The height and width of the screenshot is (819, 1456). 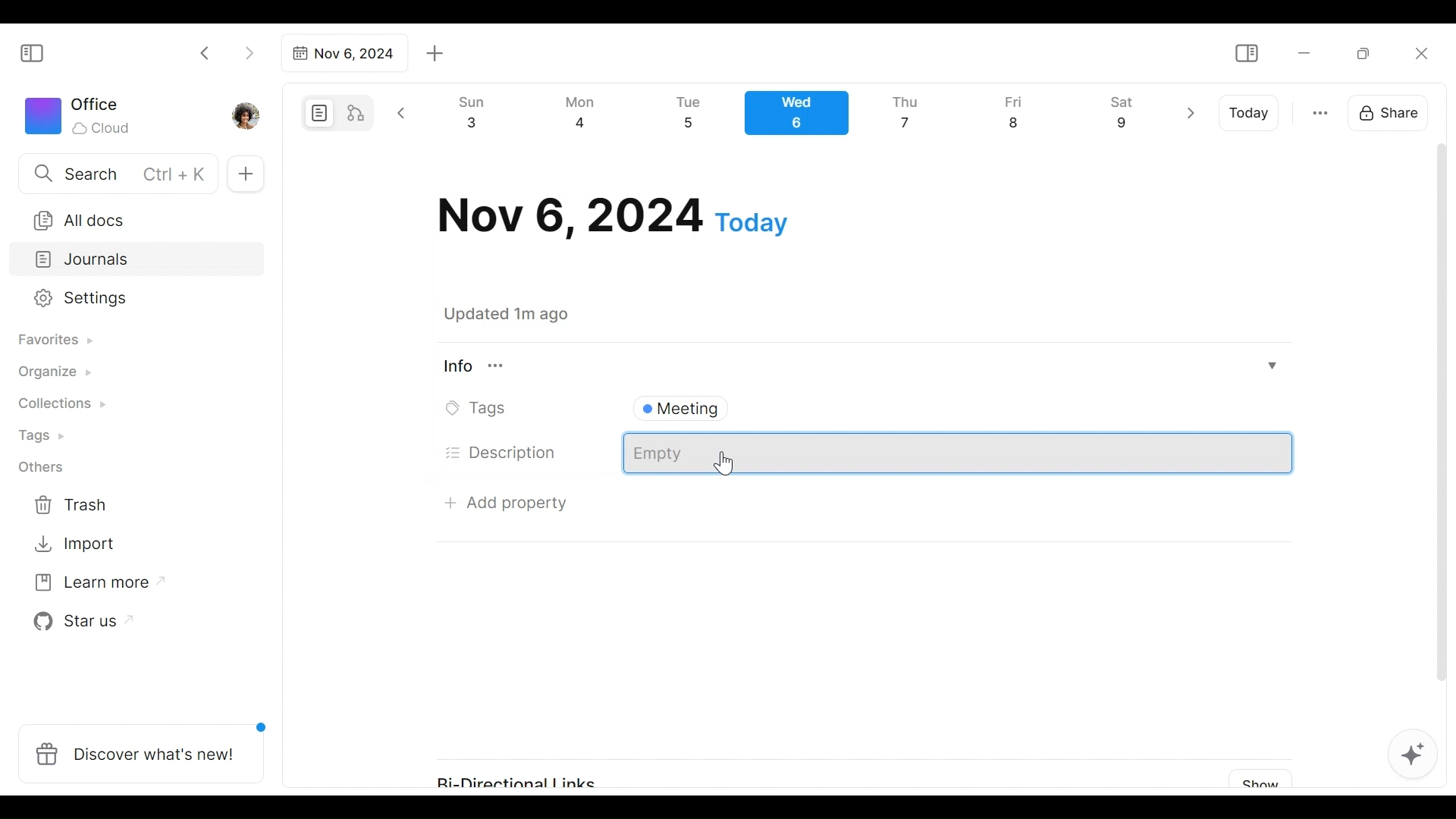 I want to click on Tags Field, so click(x=957, y=405).